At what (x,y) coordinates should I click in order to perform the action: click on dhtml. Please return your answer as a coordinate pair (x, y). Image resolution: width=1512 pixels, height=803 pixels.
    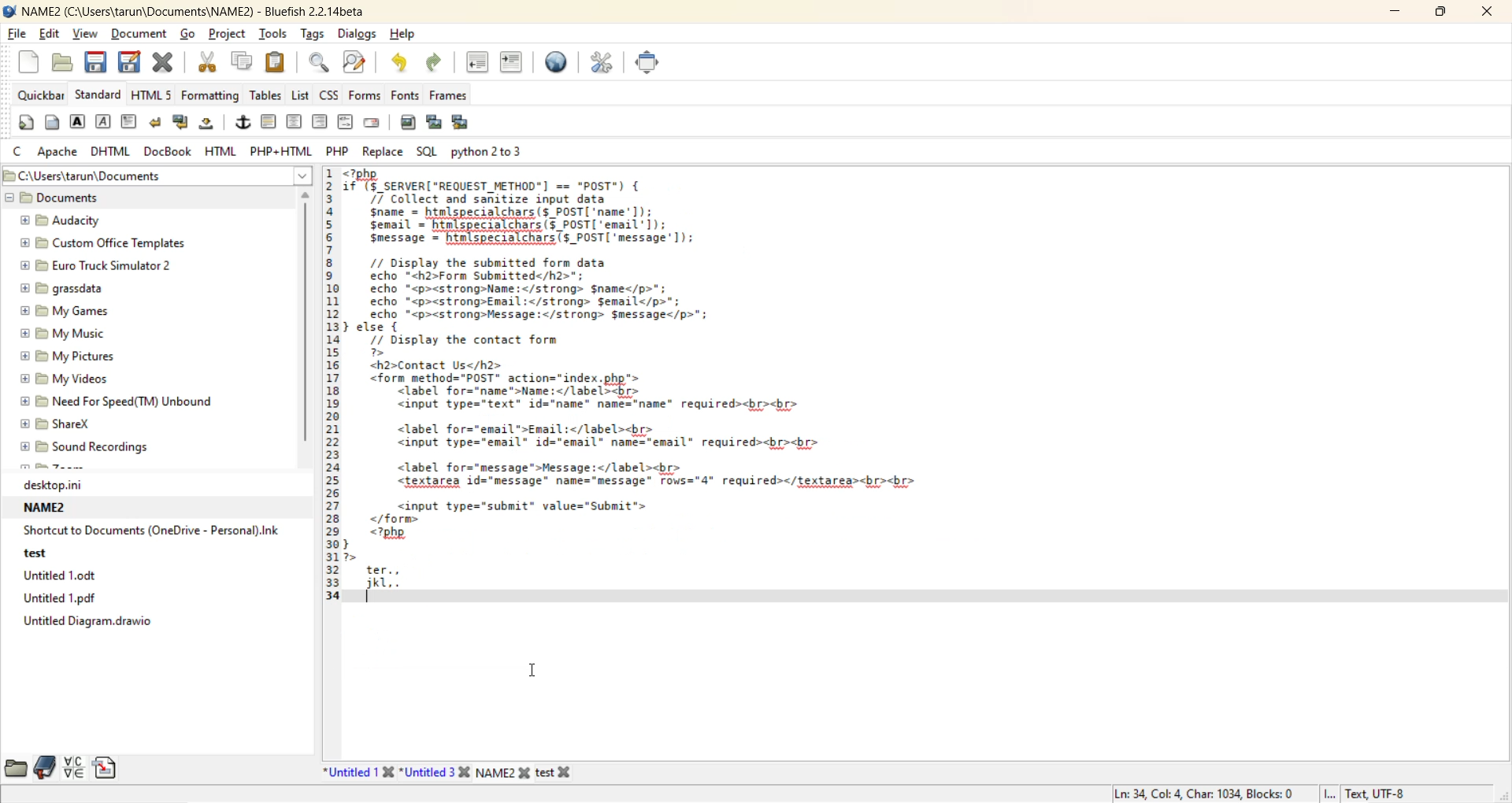
    Looking at the image, I should click on (108, 152).